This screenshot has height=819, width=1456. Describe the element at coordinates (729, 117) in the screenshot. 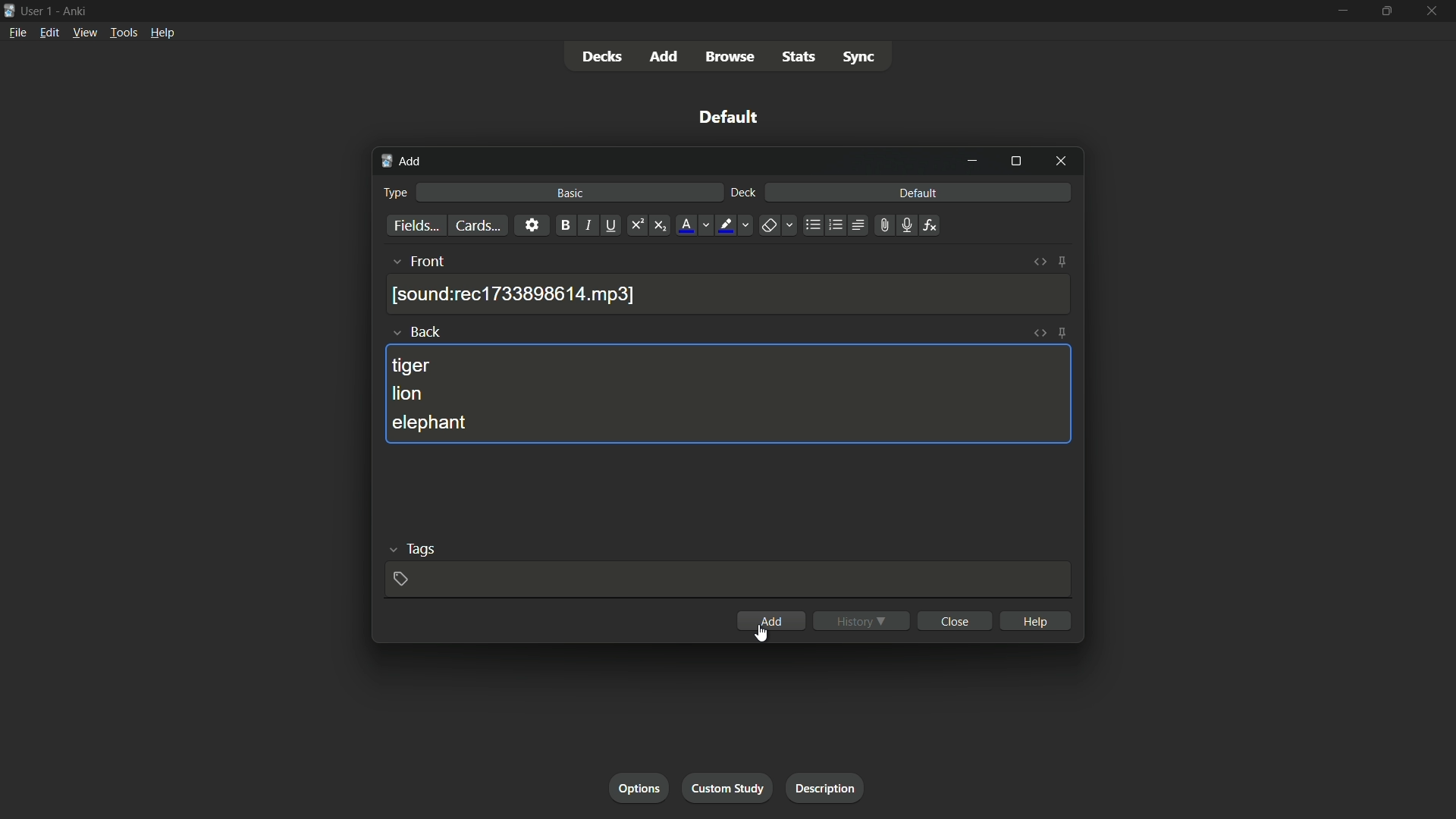

I see `default` at that location.